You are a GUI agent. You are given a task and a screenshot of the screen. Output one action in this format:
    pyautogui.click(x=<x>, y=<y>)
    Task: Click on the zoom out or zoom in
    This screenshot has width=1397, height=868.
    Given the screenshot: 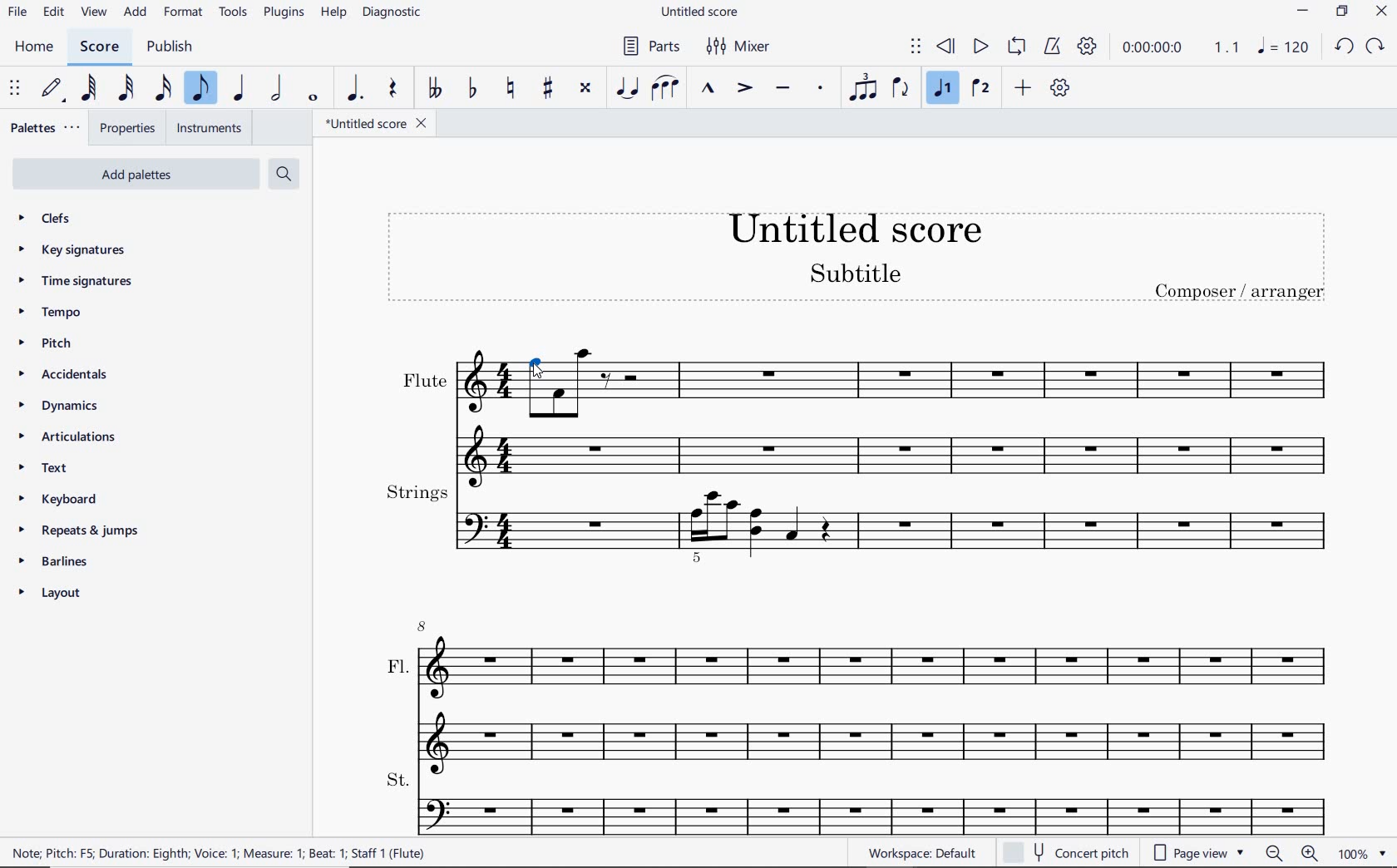 What is the action you would take?
    pyautogui.click(x=1291, y=854)
    